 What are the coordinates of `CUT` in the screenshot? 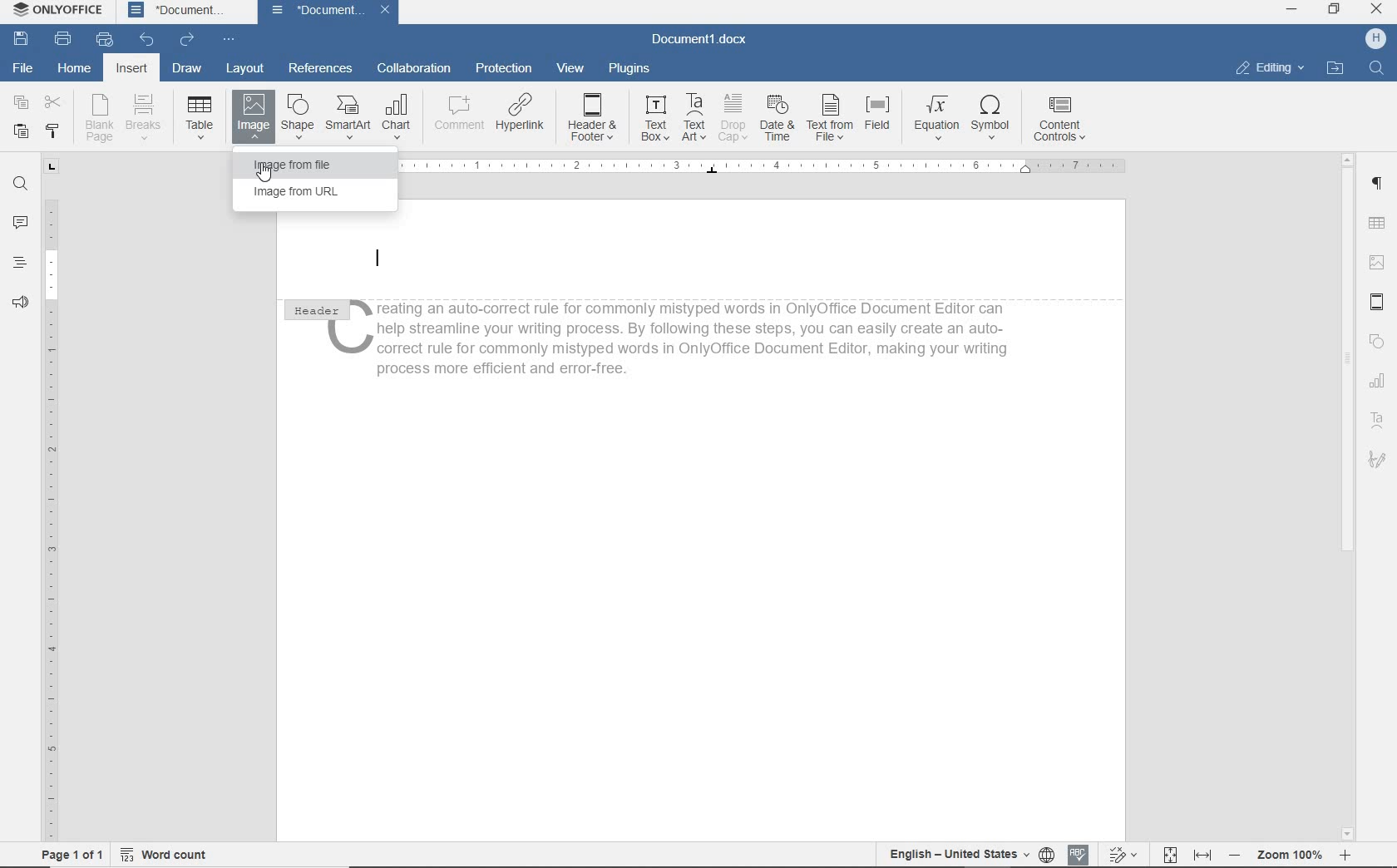 It's located at (53, 101).